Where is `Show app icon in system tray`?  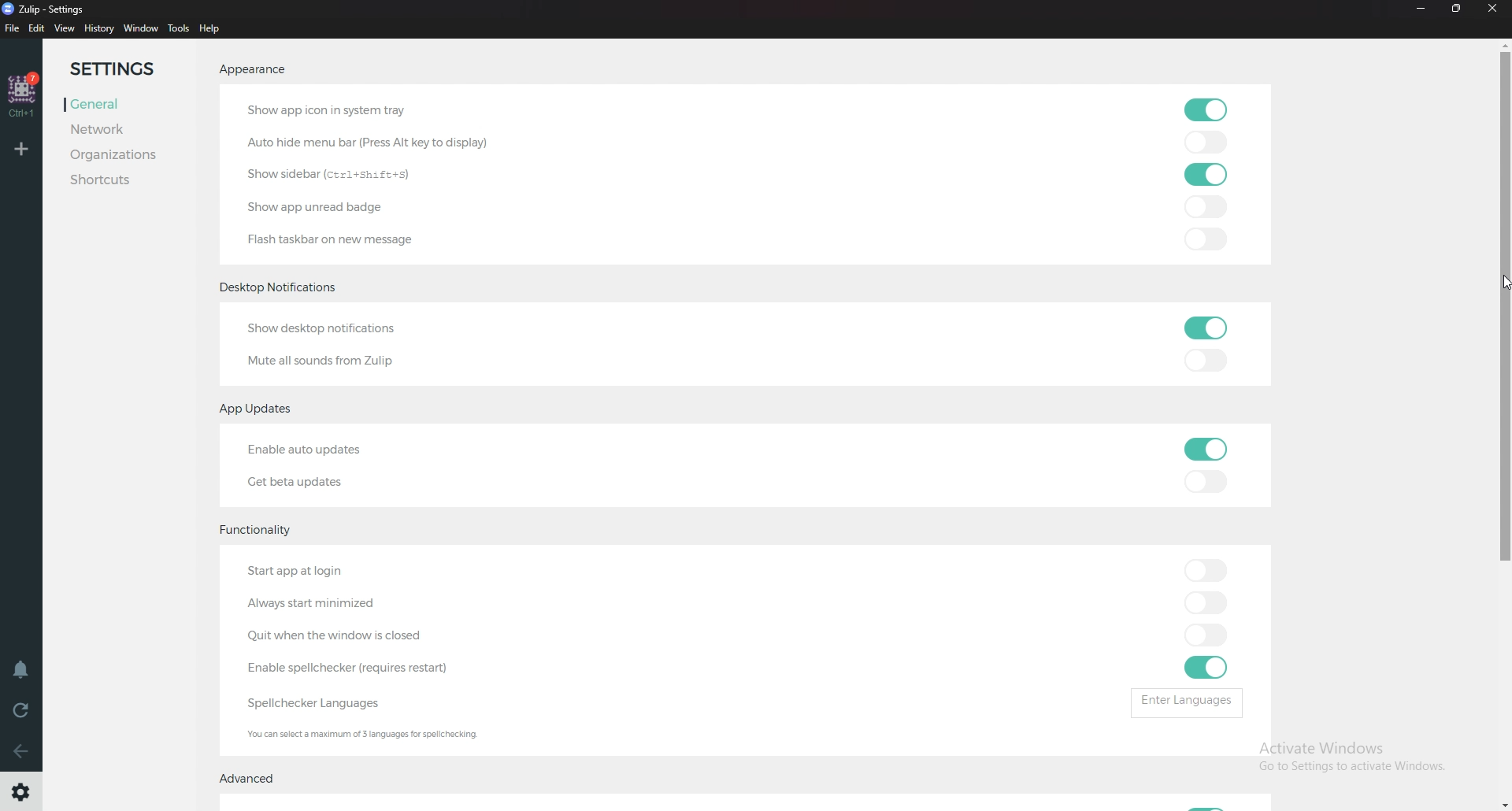 Show app icon in system tray is located at coordinates (335, 111).